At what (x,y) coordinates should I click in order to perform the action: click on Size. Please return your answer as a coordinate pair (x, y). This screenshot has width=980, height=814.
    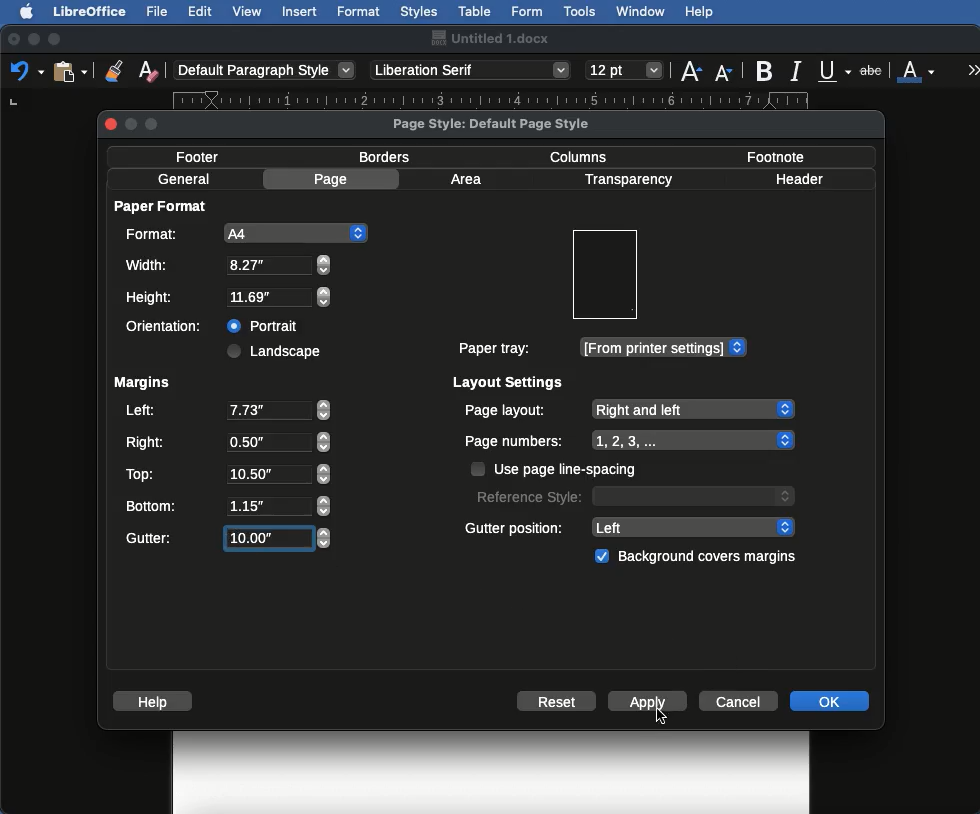
    Looking at the image, I should click on (626, 71).